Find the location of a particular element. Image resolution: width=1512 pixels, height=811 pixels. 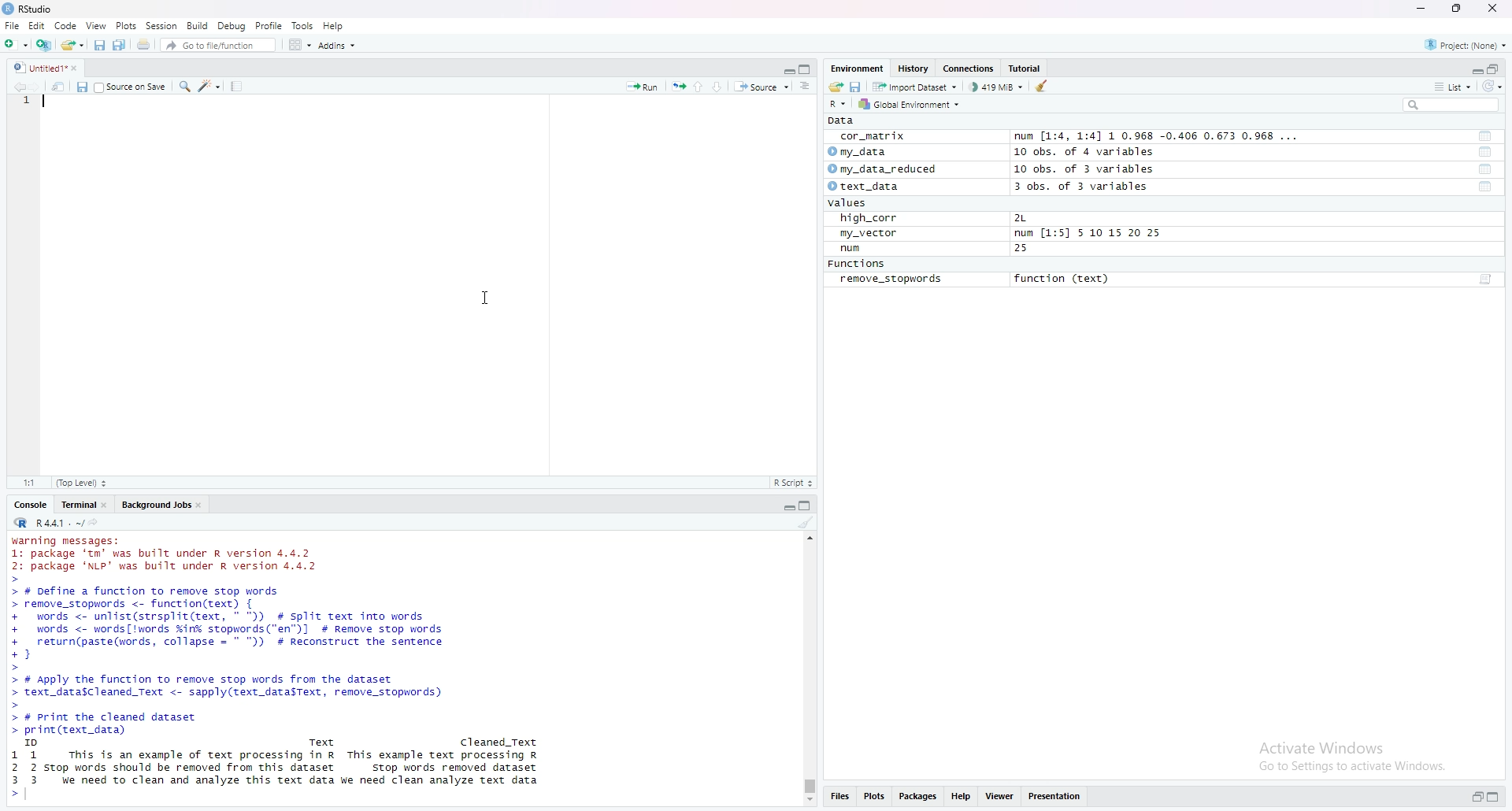

Typing indicator is located at coordinates (44, 104).